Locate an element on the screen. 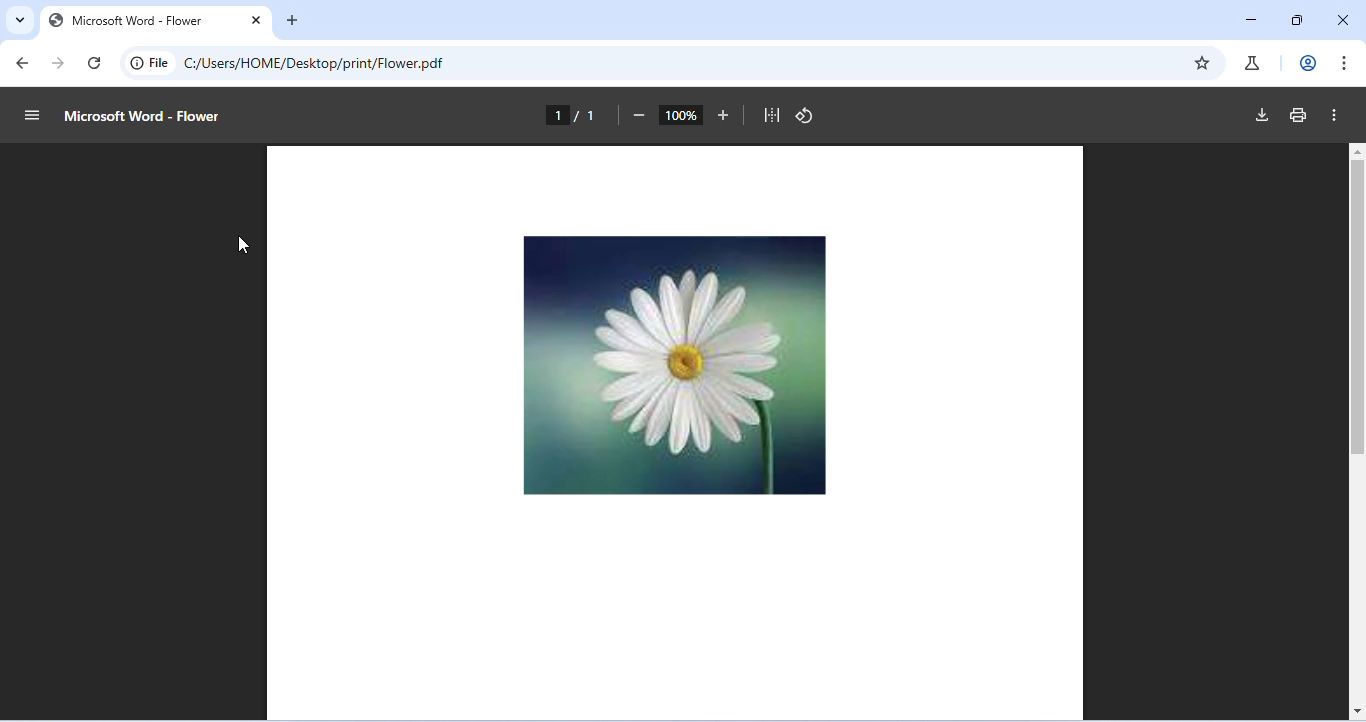 The height and width of the screenshot is (722, 1366). account is located at coordinates (1307, 63).